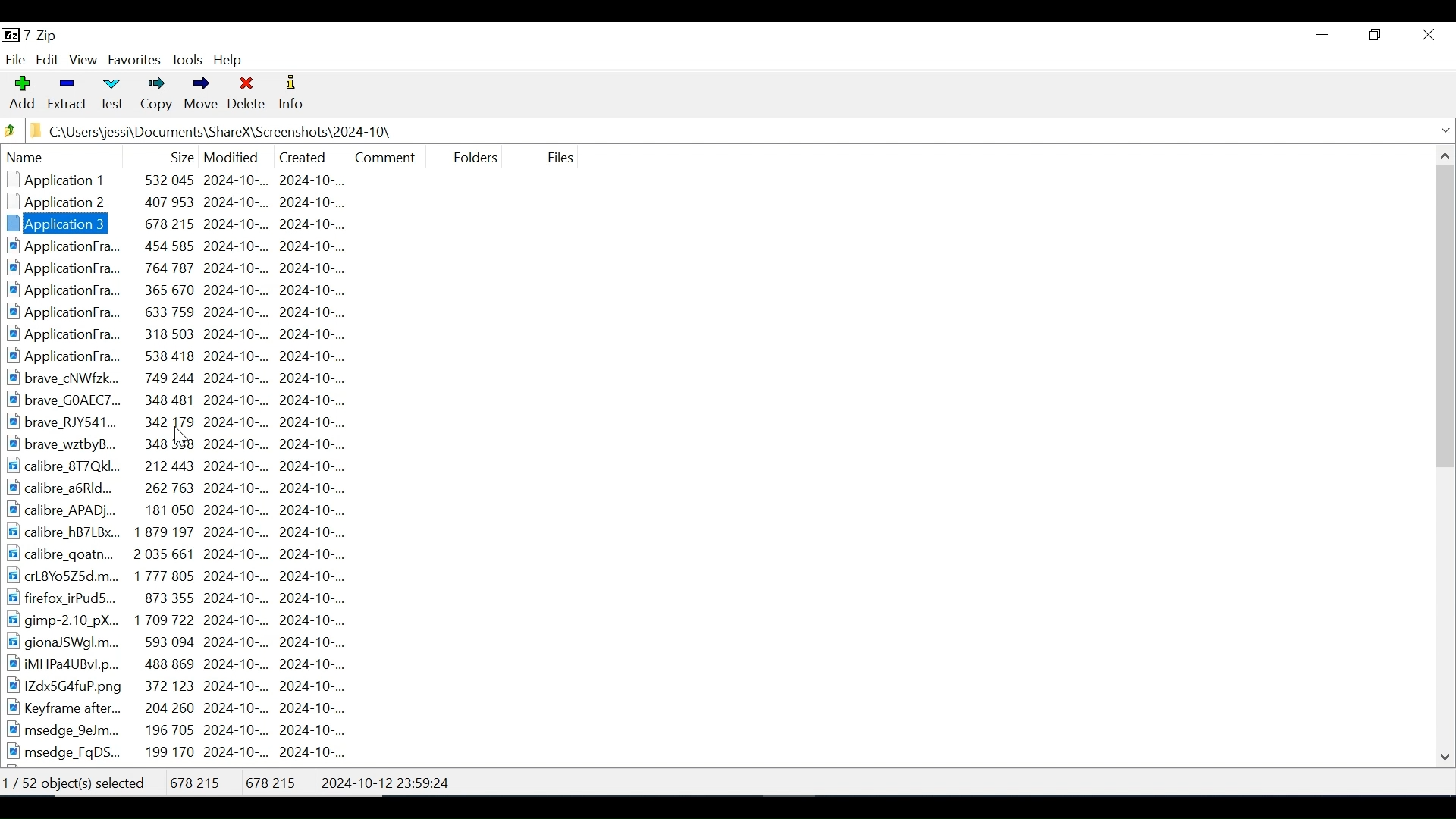 Image resolution: width=1456 pixels, height=819 pixels. What do you see at coordinates (195, 180) in the screenshot?
I see `Application 1 532 045 2024-10-.. 2024-10-...` at bounding box center [195, 180].